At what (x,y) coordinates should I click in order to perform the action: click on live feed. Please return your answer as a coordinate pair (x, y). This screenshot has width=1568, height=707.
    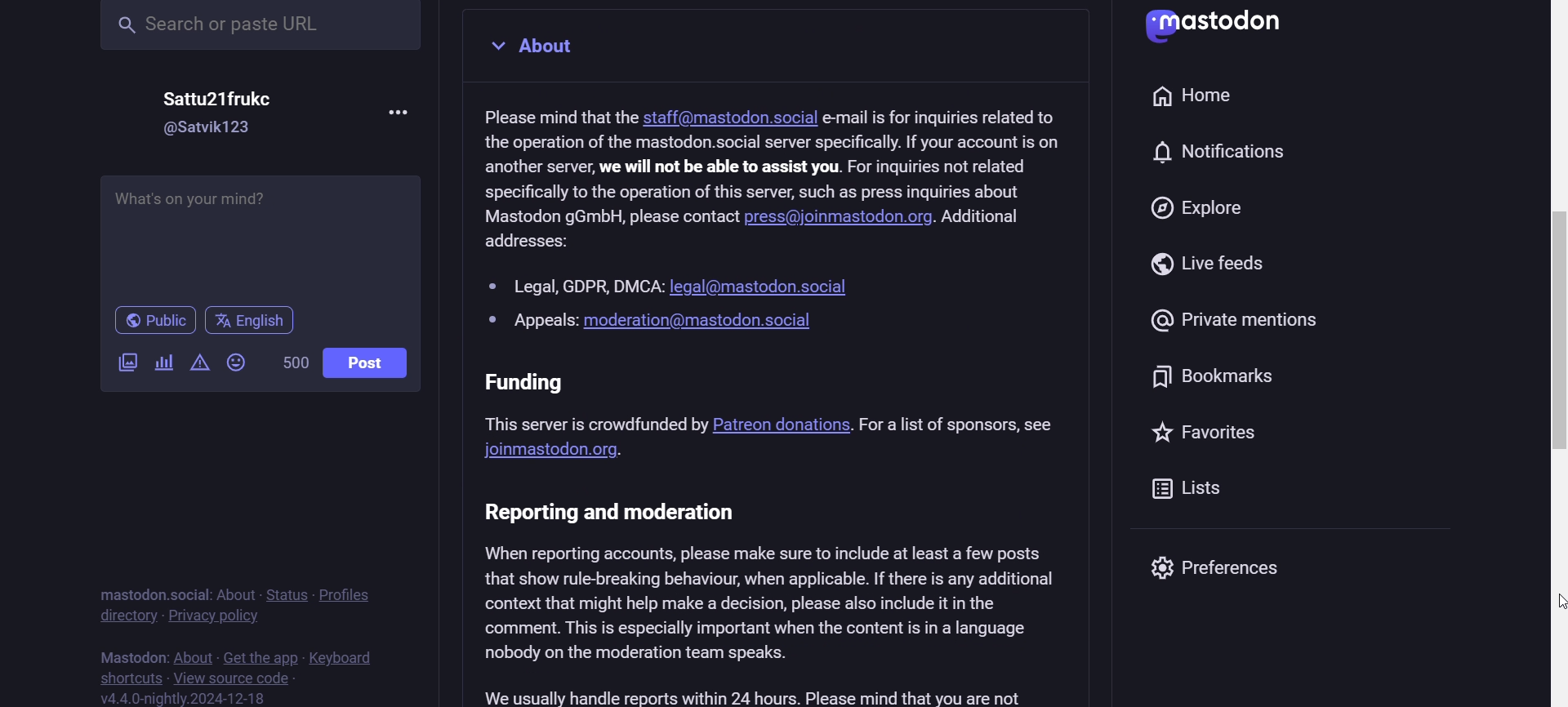
    Looking at the image, I should click on (1225, 268).